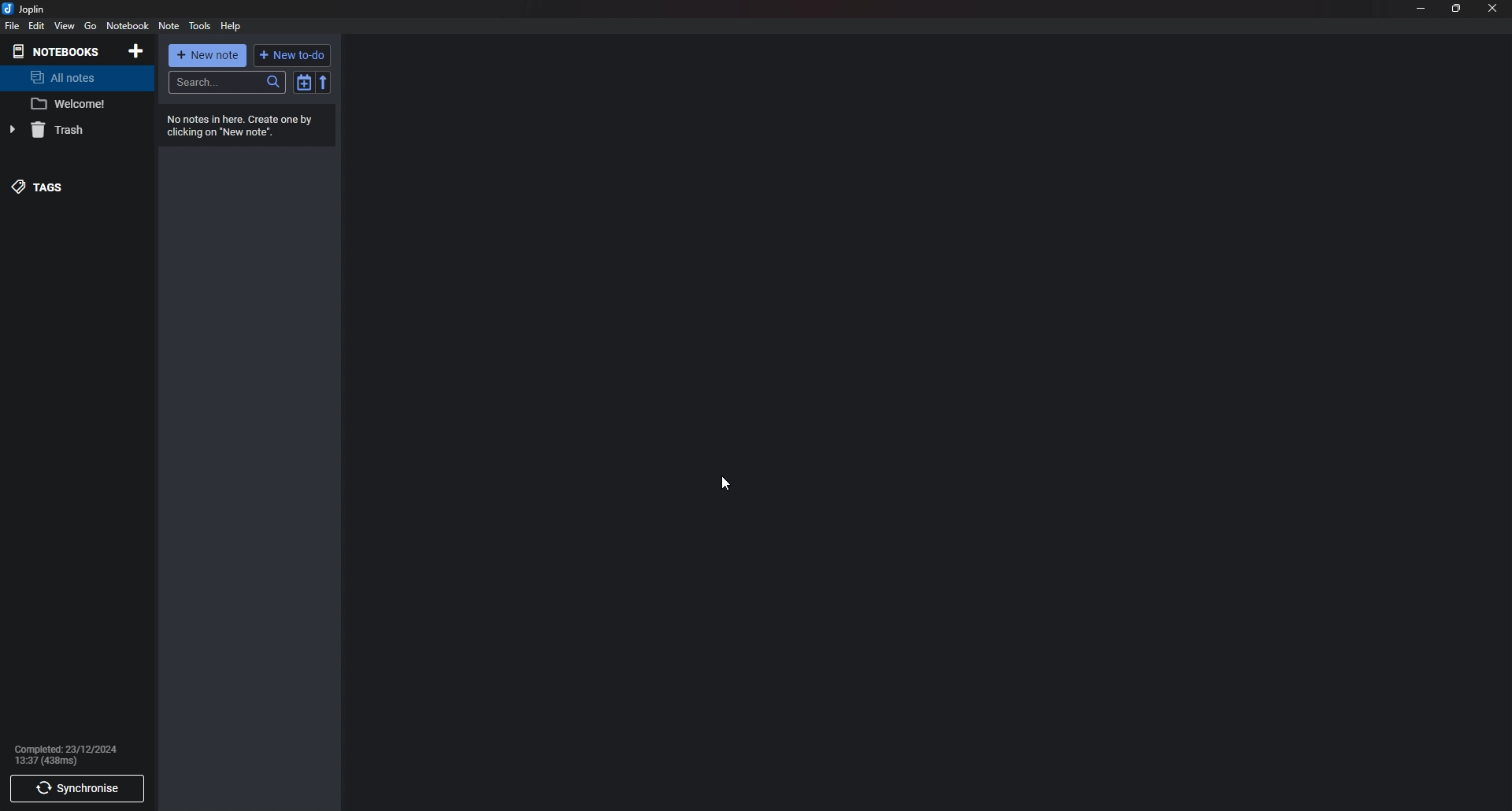 The height and width of the screenshot is (811, 1512). Describe the element at coordinates (28, 9) in the screenshot. I see `Joplin` at that location.